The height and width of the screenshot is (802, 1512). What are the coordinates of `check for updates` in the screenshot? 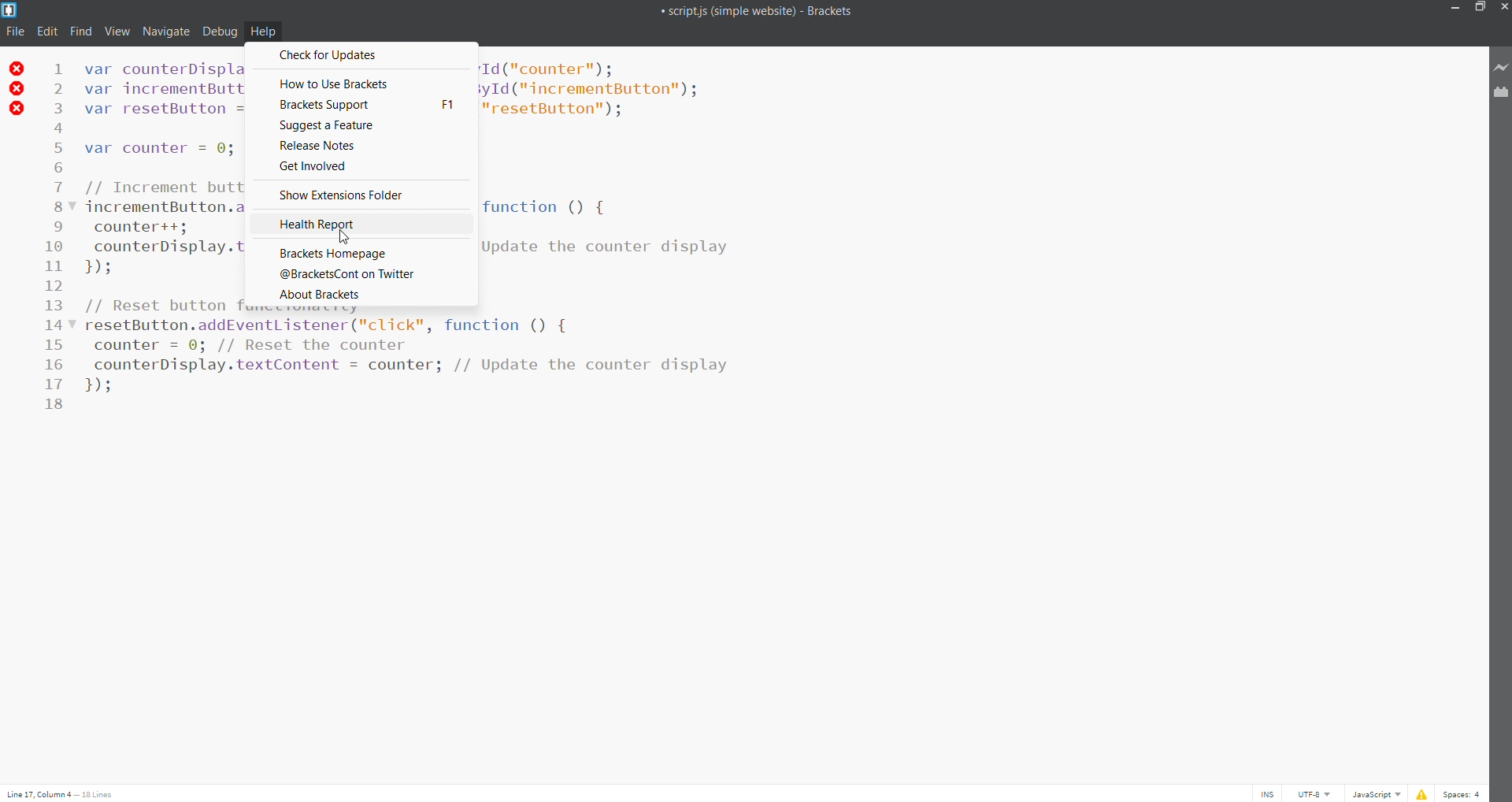 It's located at (362, 56).